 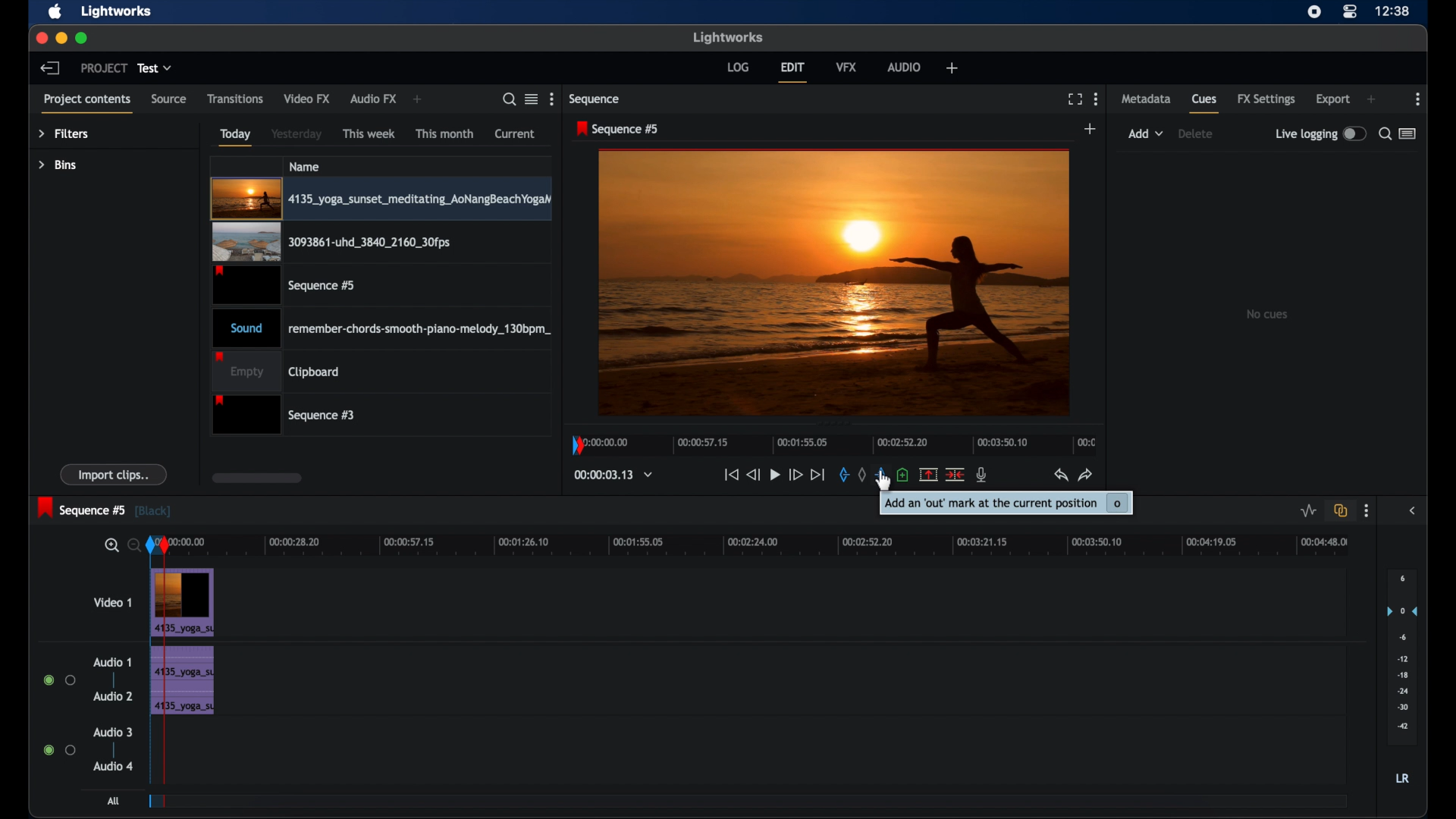 I want to click on add, so click(x=952, y=69).